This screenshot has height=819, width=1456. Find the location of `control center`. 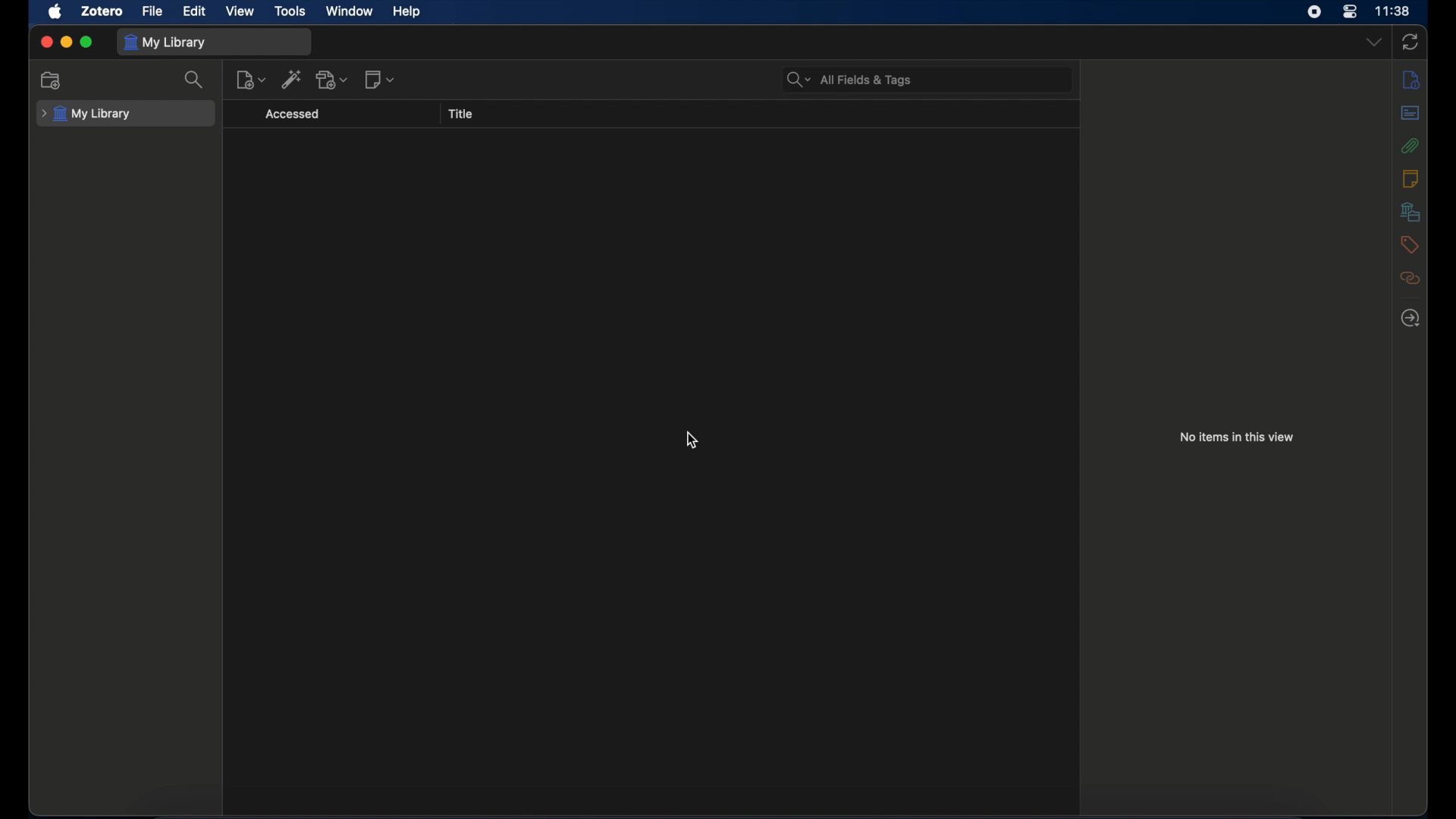

control center is located at coordinates (1350, 11).